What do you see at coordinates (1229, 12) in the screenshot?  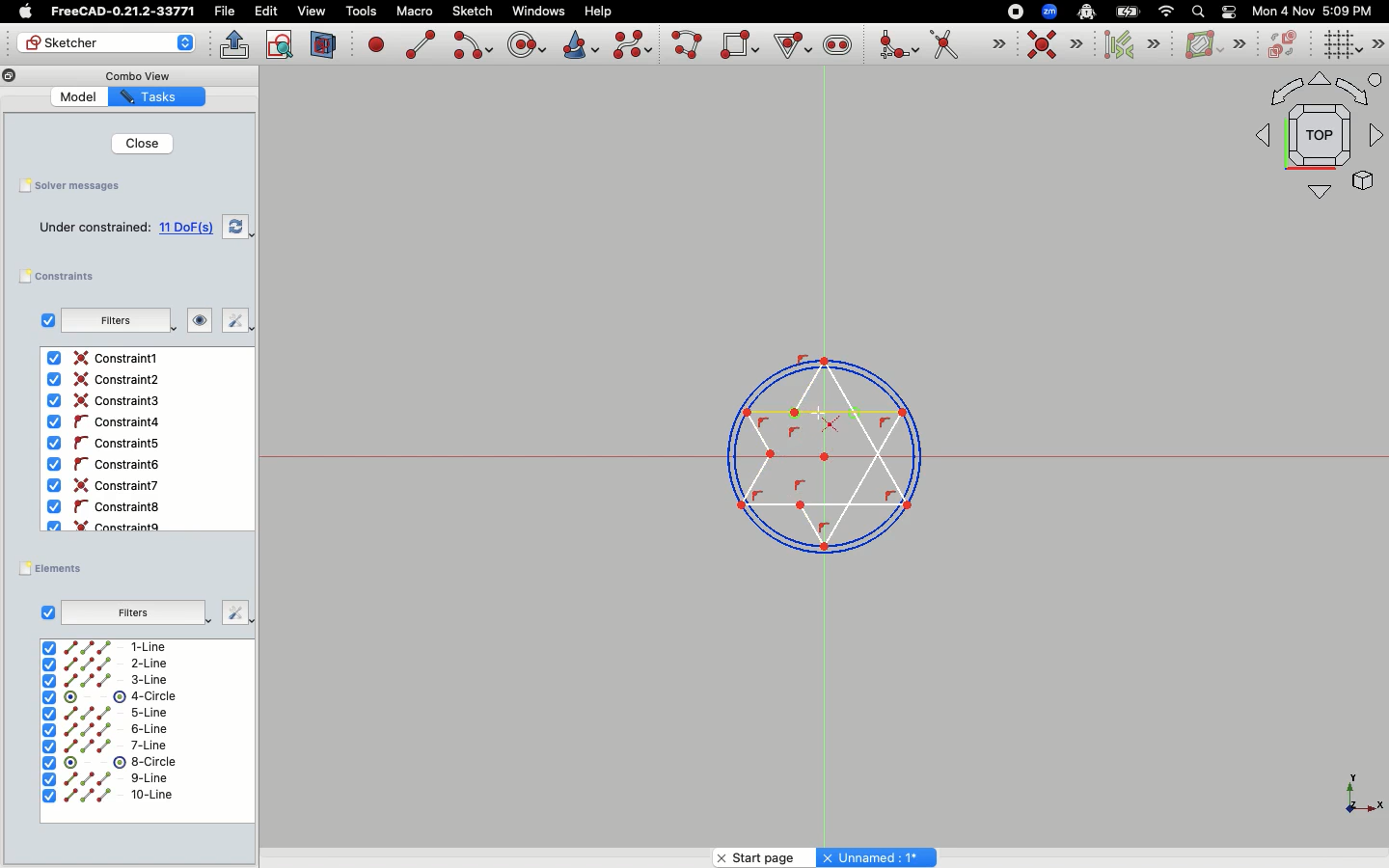 I see `Toggle` at bounding box center [1229, 12].